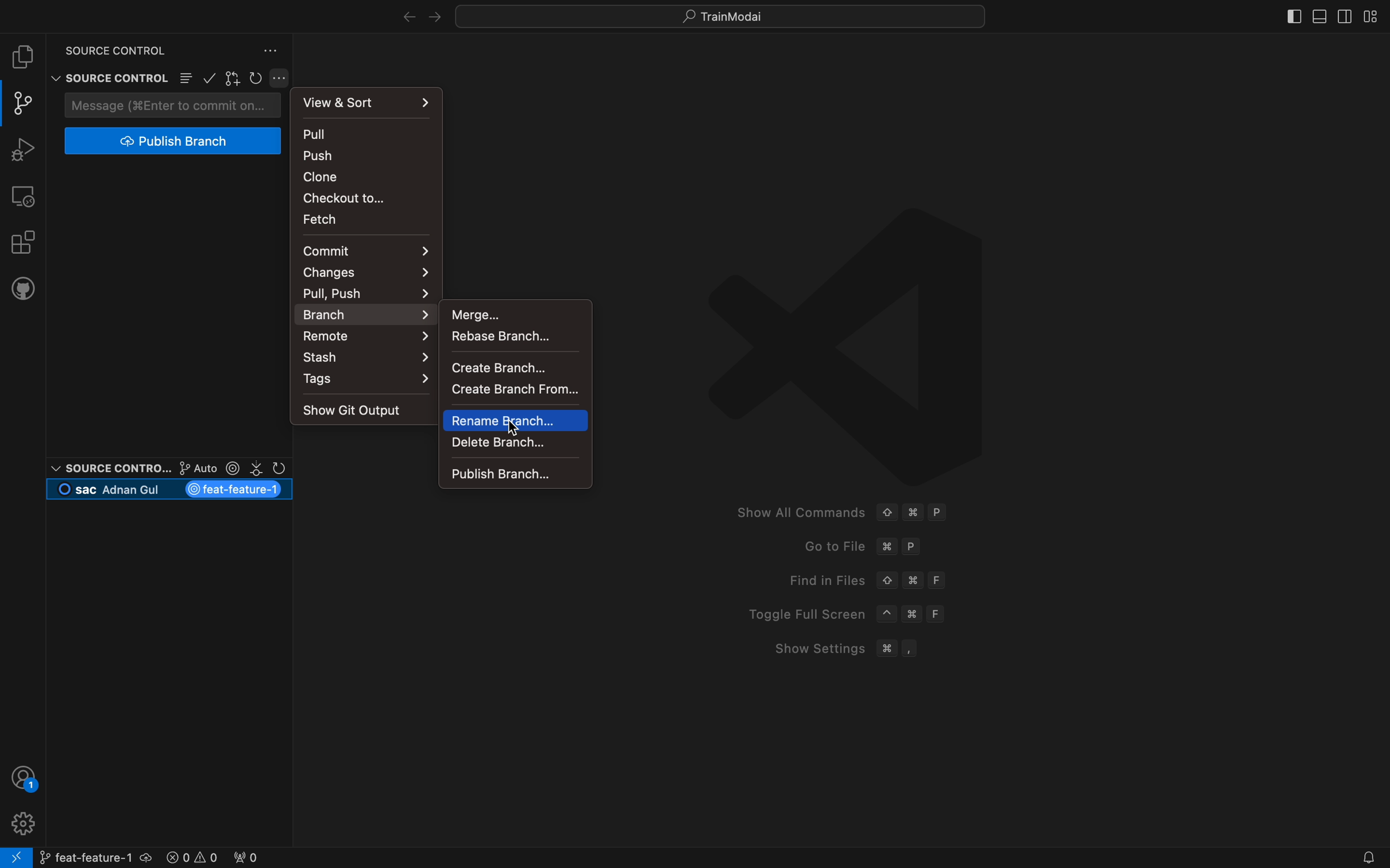 Image resolution: width=1390 pixels, height=868 pixels. Describe the element at coordinates (886, 648) in the screenshot. I see `Command` at that location.